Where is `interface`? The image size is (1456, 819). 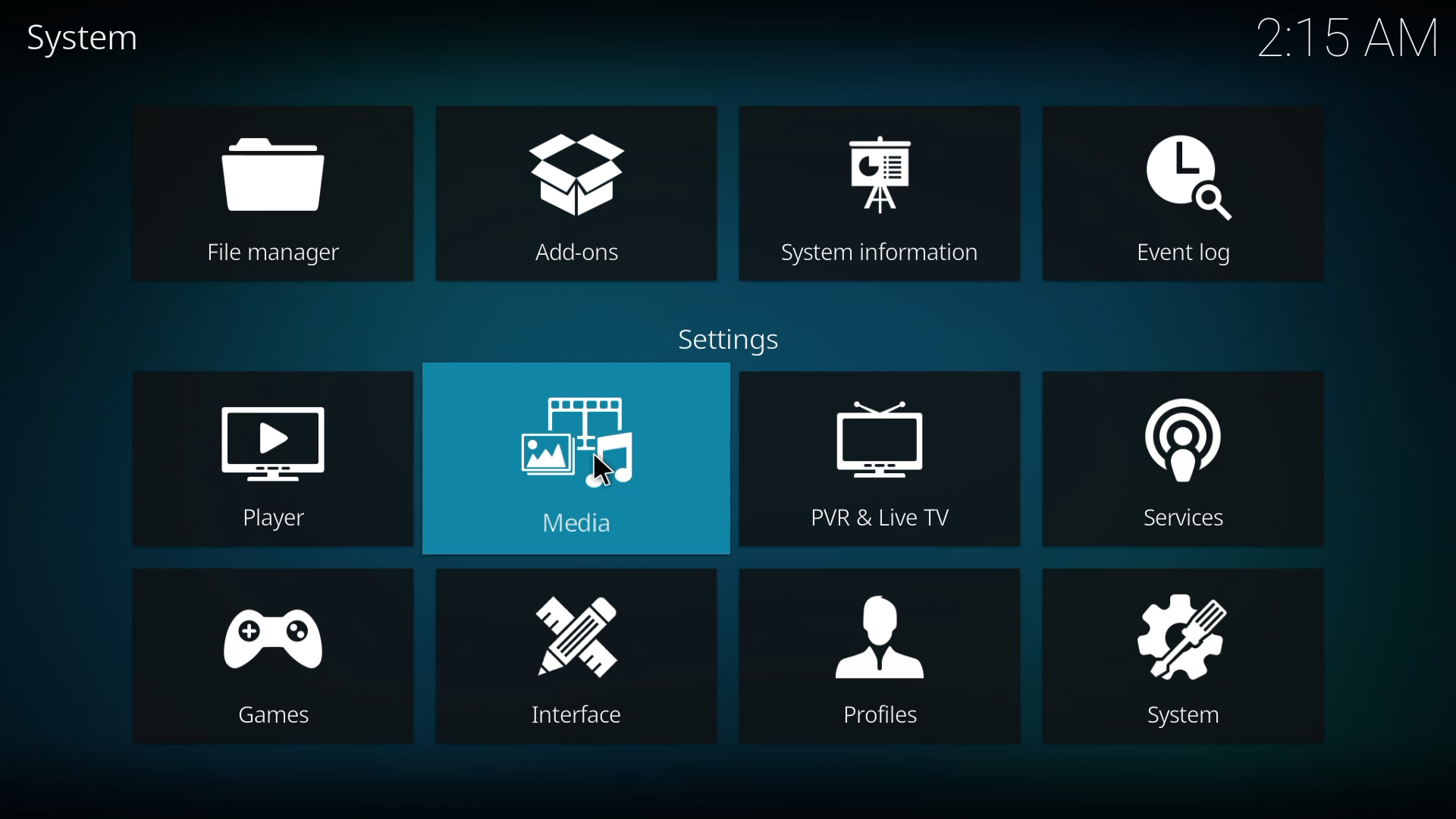
interface is located at coordinates (581, 657).